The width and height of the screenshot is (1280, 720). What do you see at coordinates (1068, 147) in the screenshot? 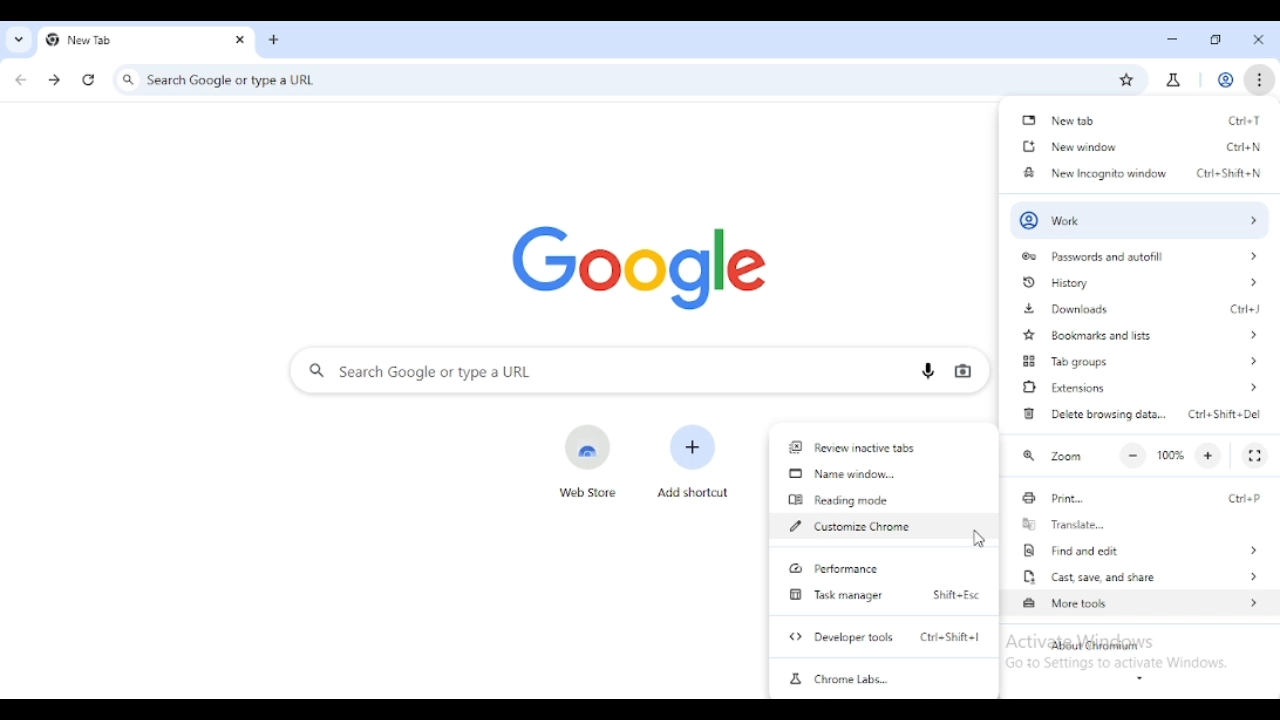
I see `new window` at bounding box center [1068, 147].